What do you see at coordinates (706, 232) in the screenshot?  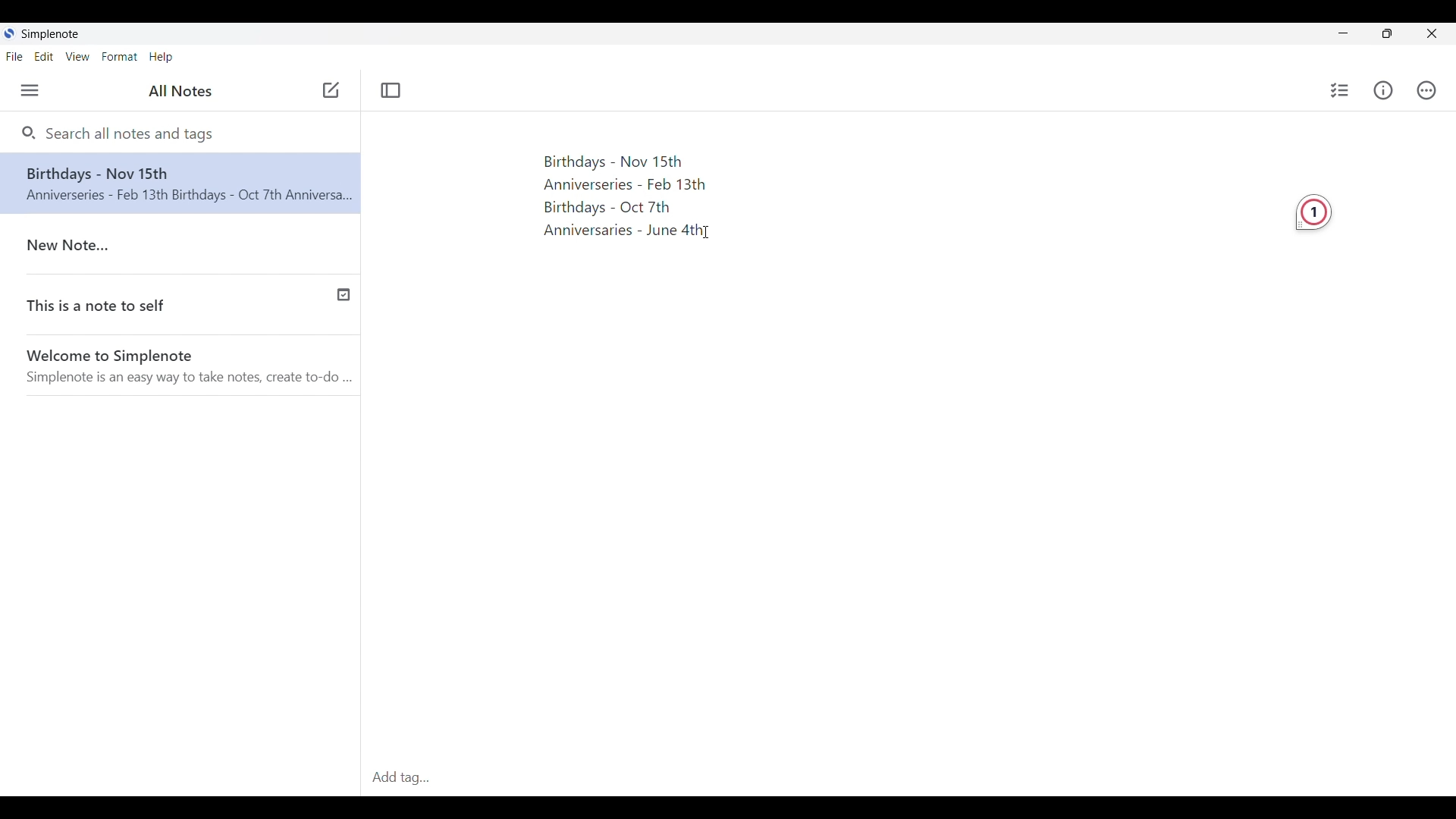 I see `Text Cursor` at bounding box center [706, 232].